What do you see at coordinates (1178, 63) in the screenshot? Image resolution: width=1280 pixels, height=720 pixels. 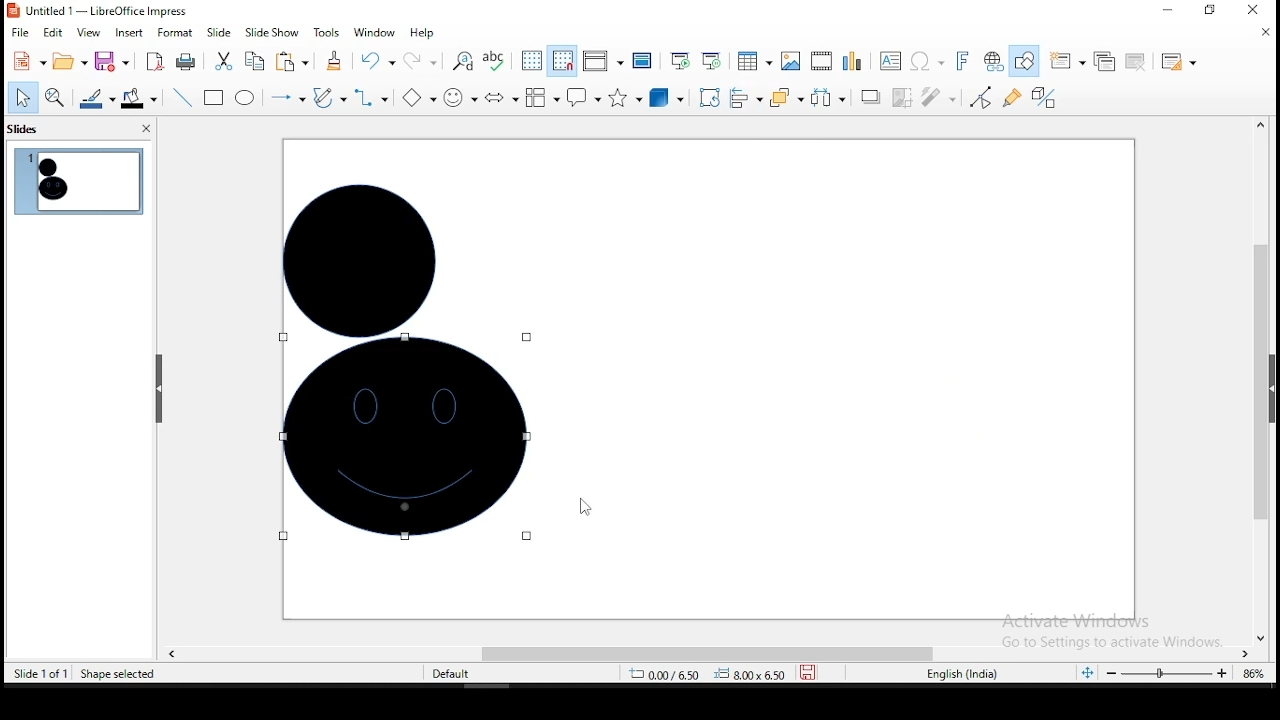 I see ` slide layout` at bounding box center [1178, 63].